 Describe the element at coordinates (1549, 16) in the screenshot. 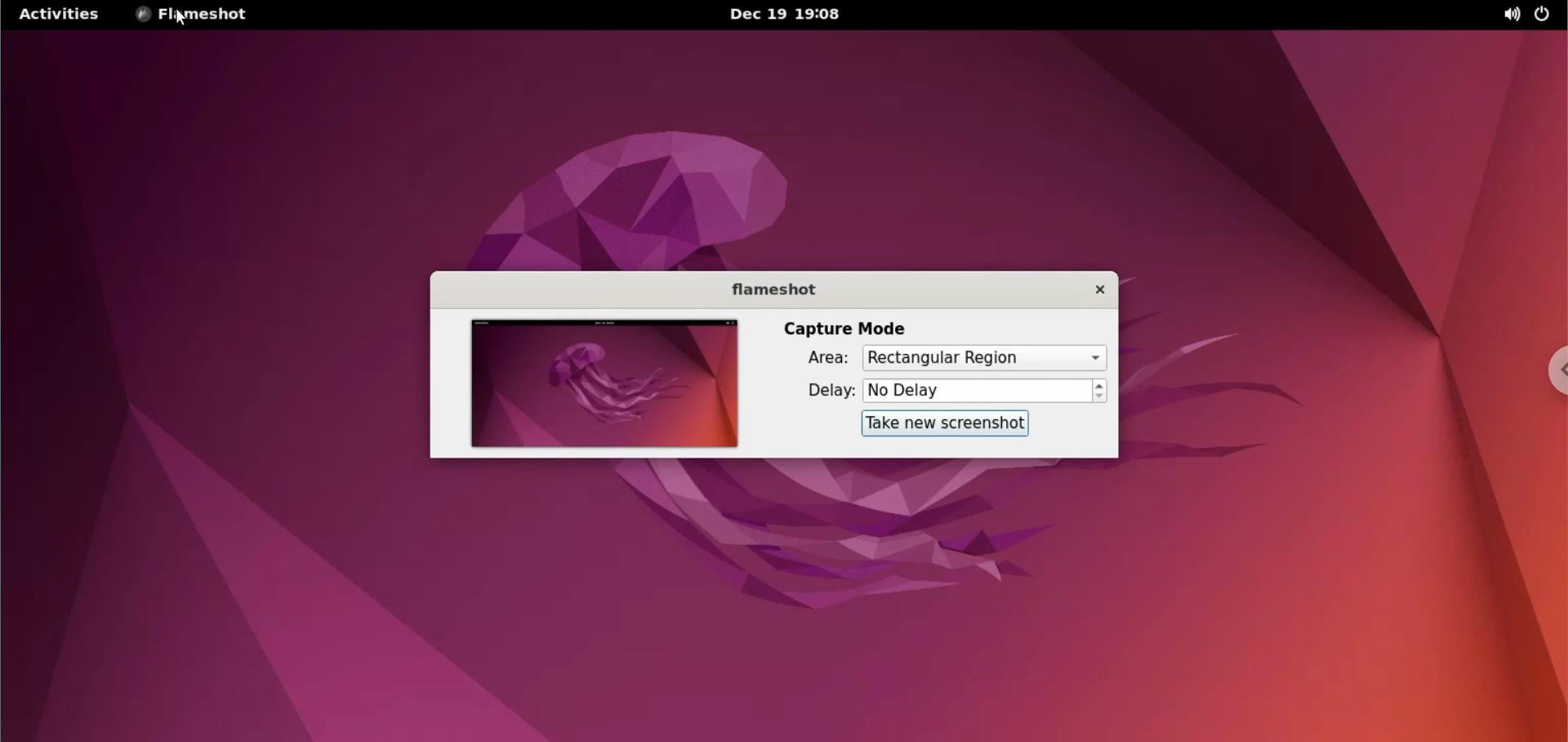

I see `power settings options` at that location.